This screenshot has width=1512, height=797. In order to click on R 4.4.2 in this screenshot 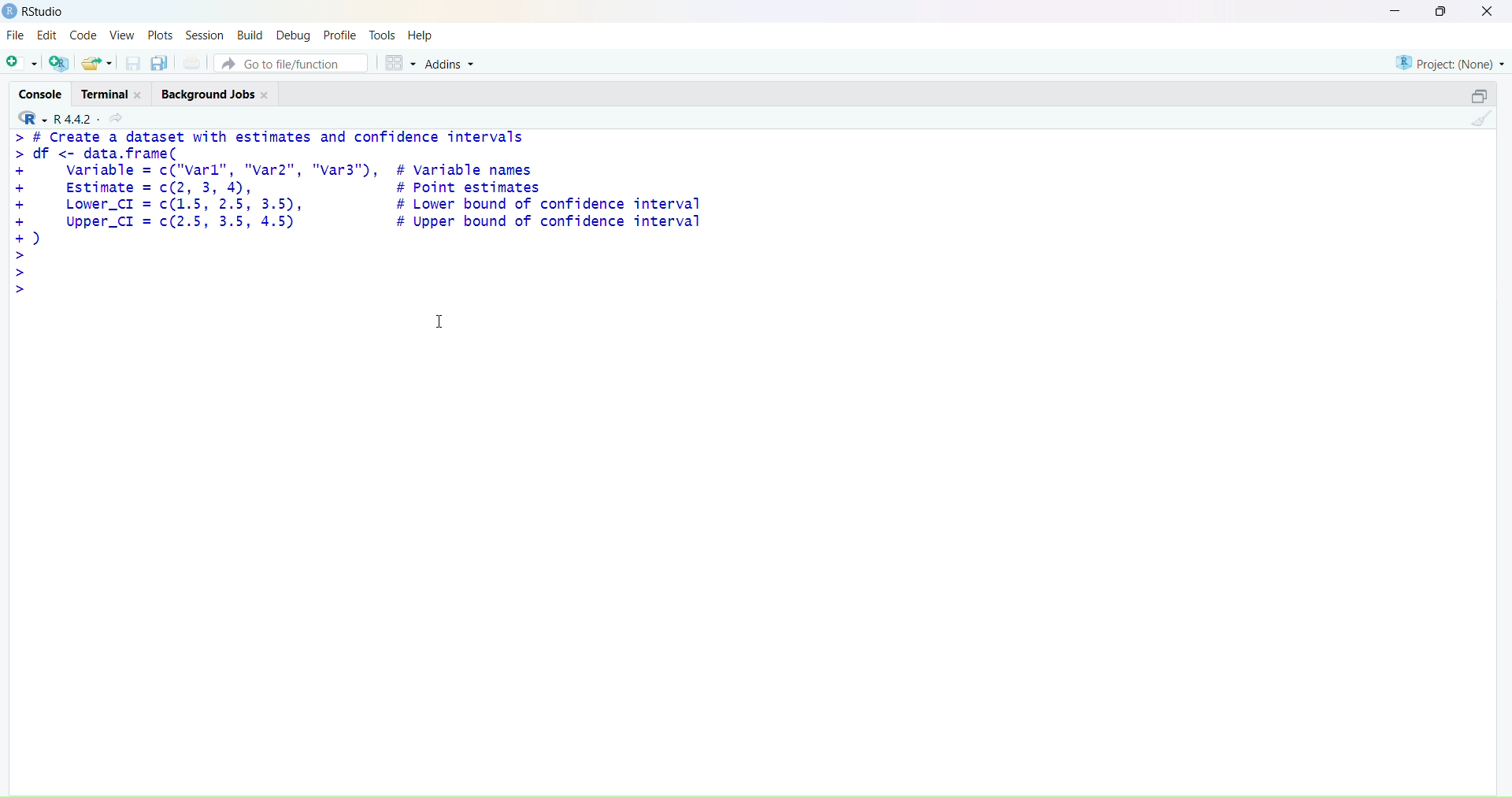, I will do `click(52, 118)`.